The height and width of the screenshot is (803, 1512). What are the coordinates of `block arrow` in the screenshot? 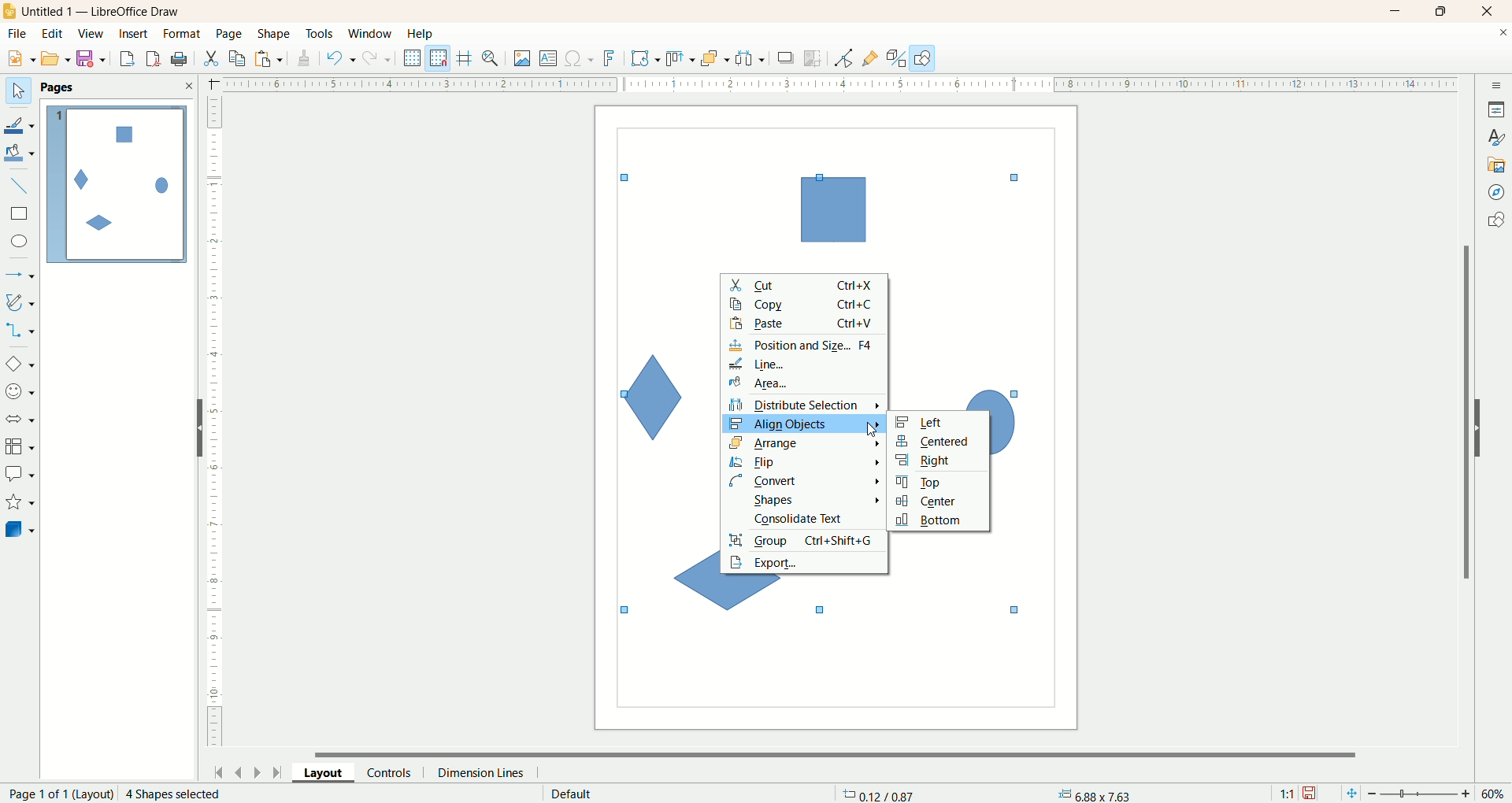 It's located at (23, 420).